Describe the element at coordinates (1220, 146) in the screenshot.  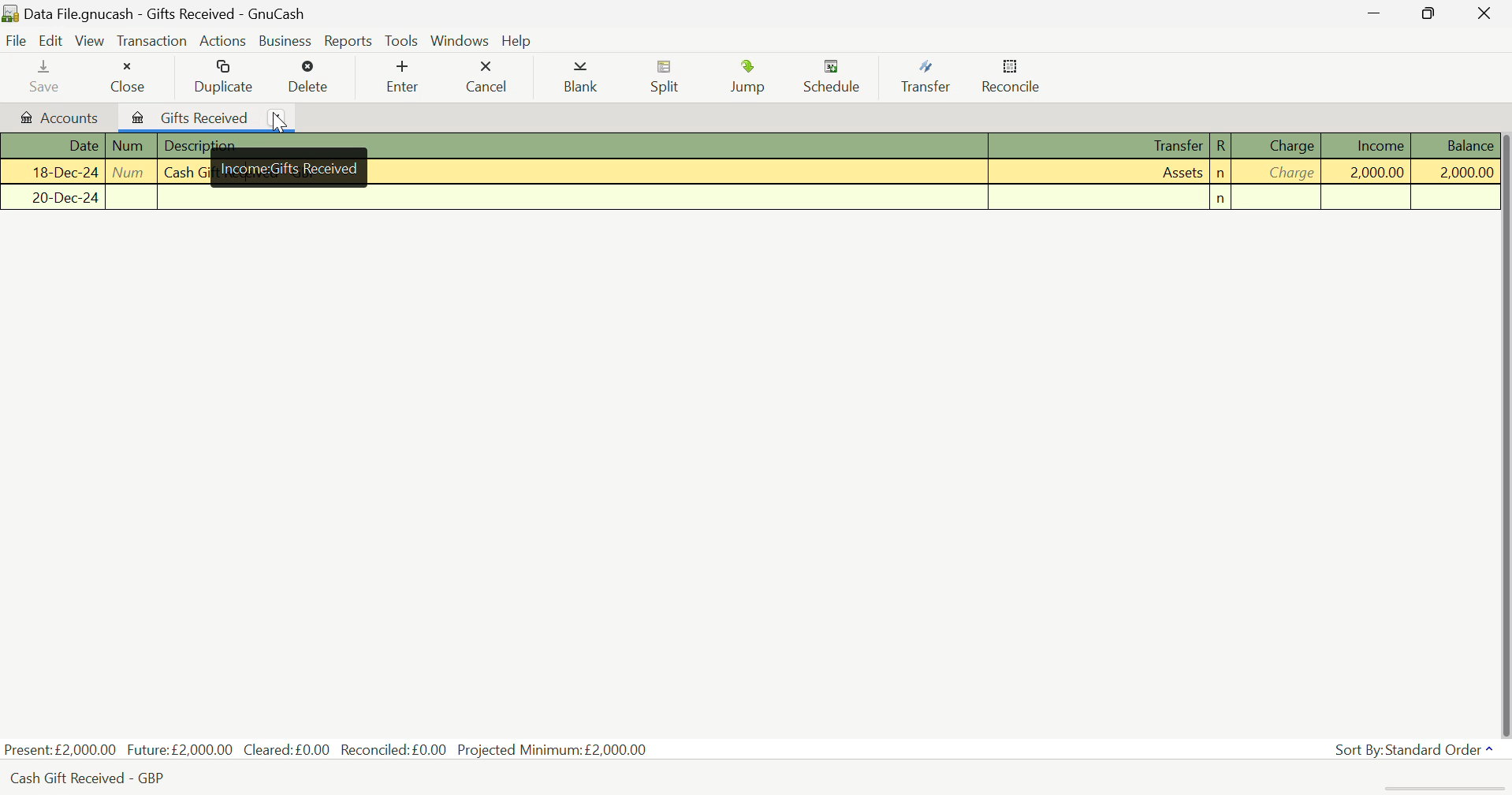
I see `R` at that location.